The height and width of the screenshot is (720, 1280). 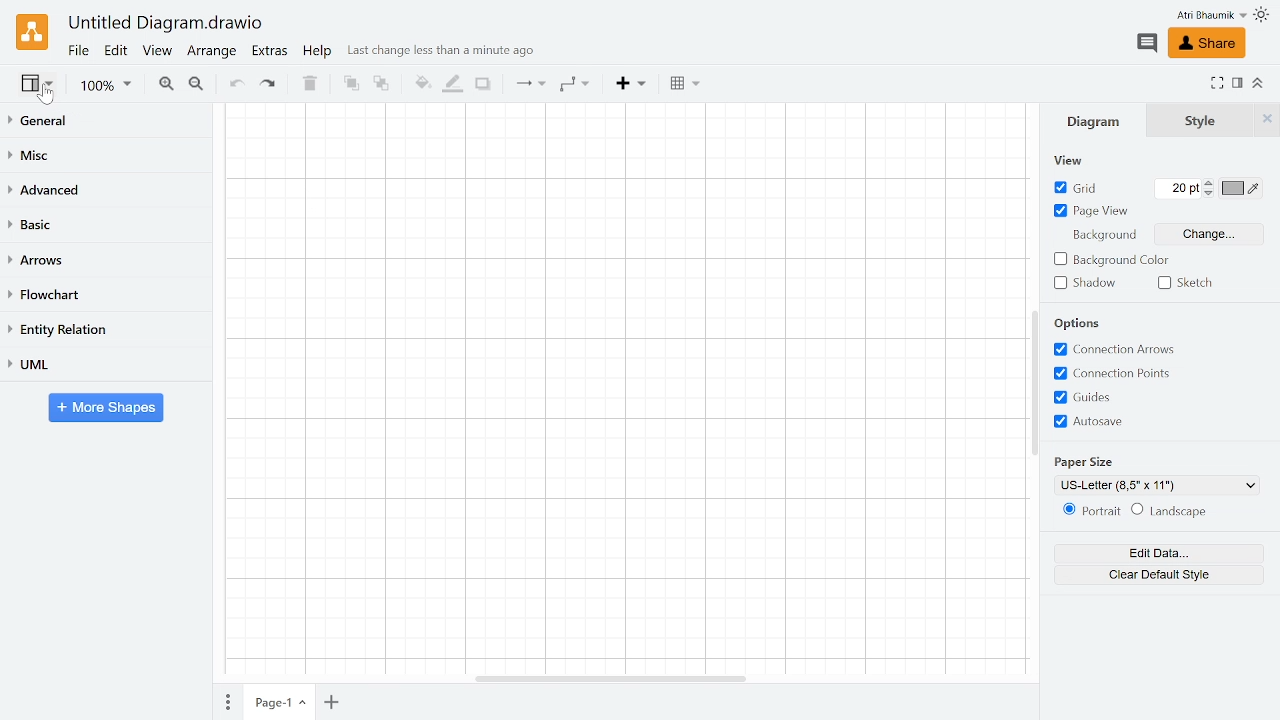 I want to click on Current page, so click(x=281, y=701).